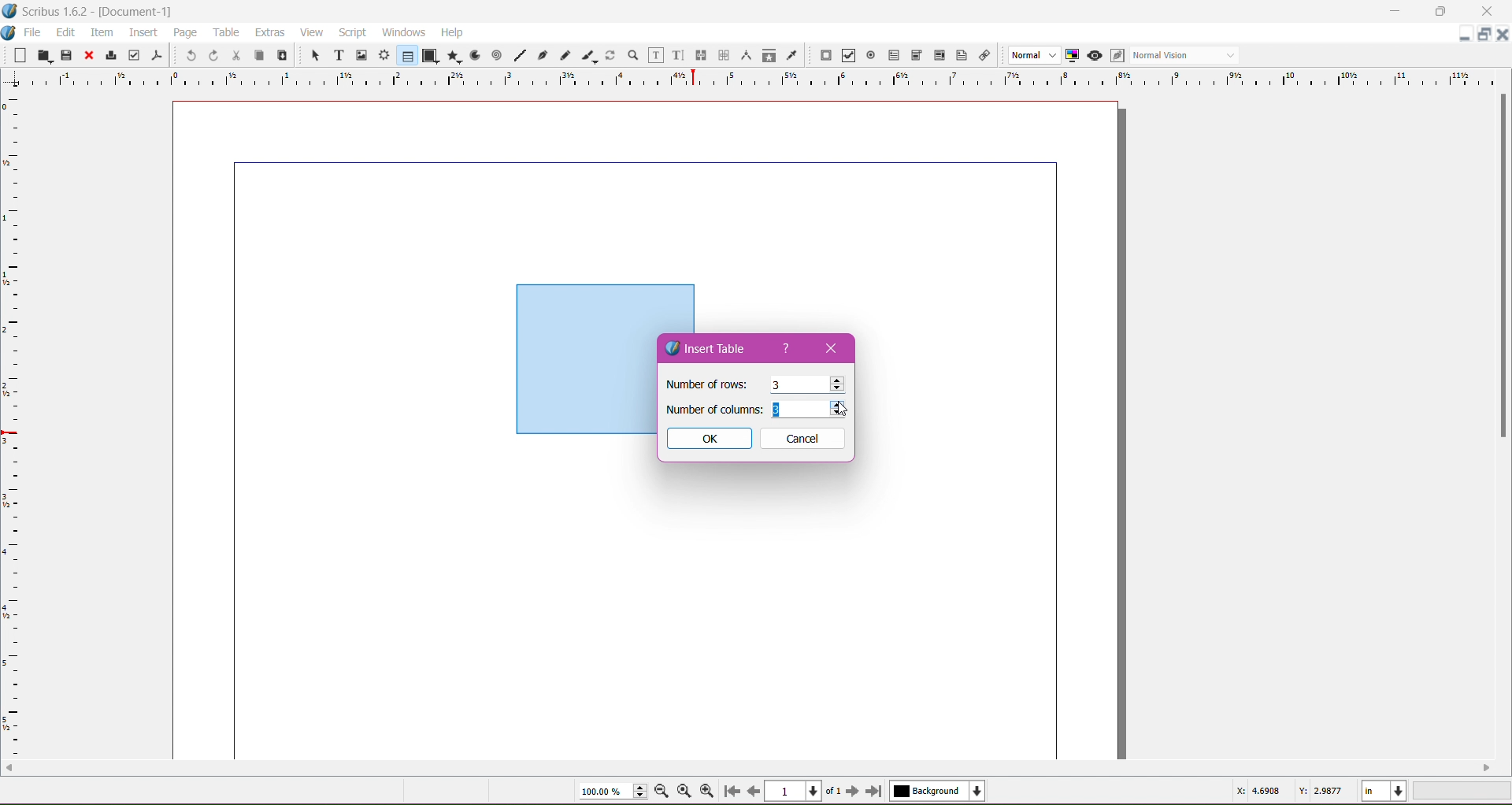  What do you see at coordinates (565, 56) in the screenshot?
I see `Freehand Line` at bounding box center [565, 56].